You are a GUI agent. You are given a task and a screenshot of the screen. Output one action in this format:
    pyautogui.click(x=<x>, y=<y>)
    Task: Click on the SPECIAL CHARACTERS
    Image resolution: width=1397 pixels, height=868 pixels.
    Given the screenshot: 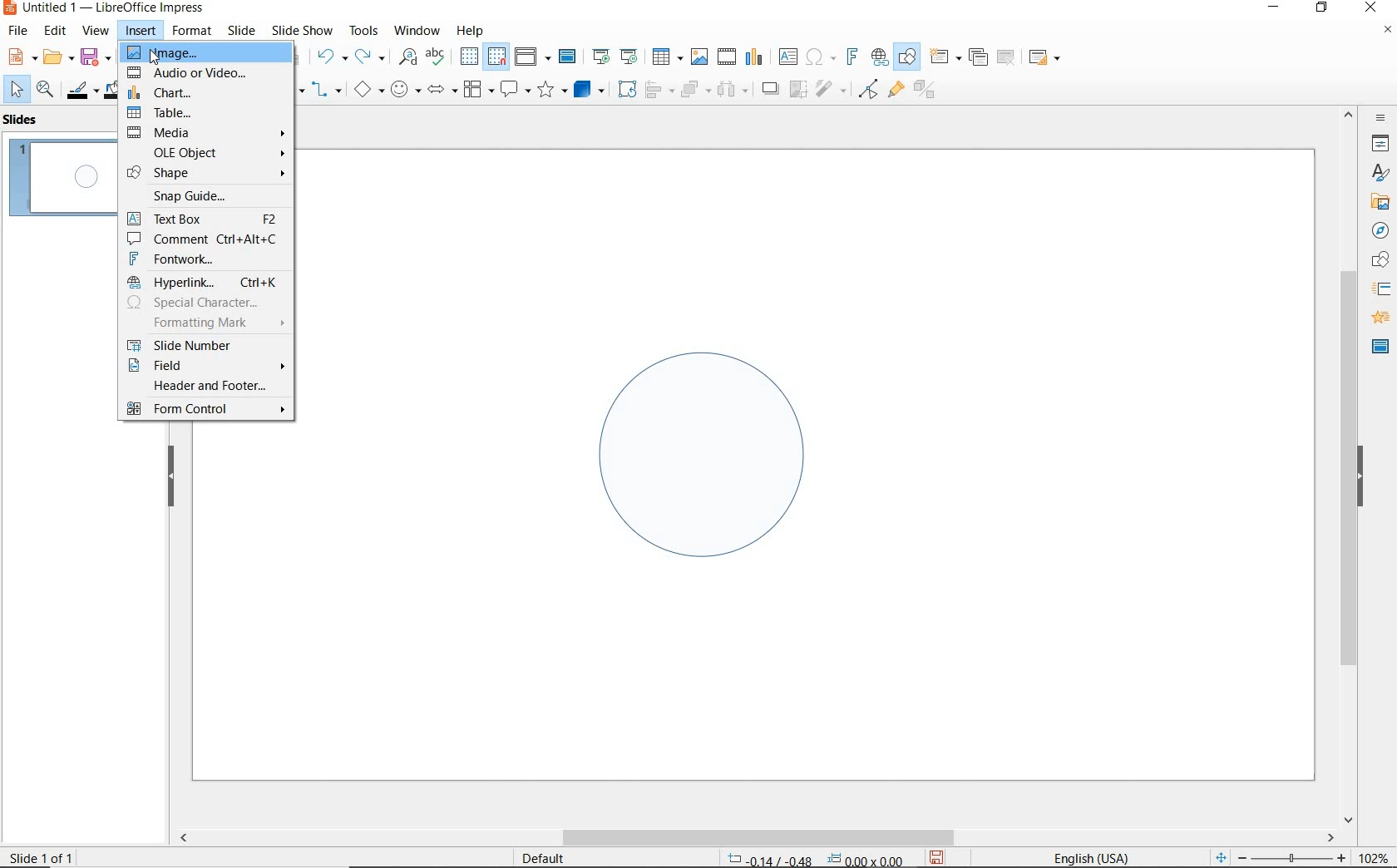 What is the action you would take?
    pyautogui.click(x=205, y=303)
    